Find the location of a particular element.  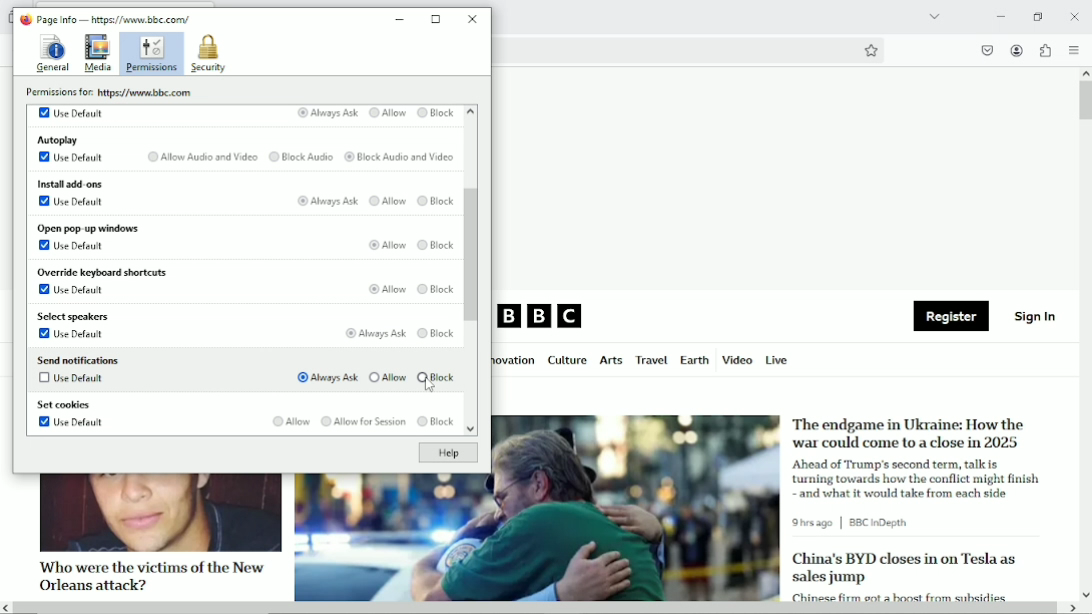

Security is located at coordinates (208, 54).